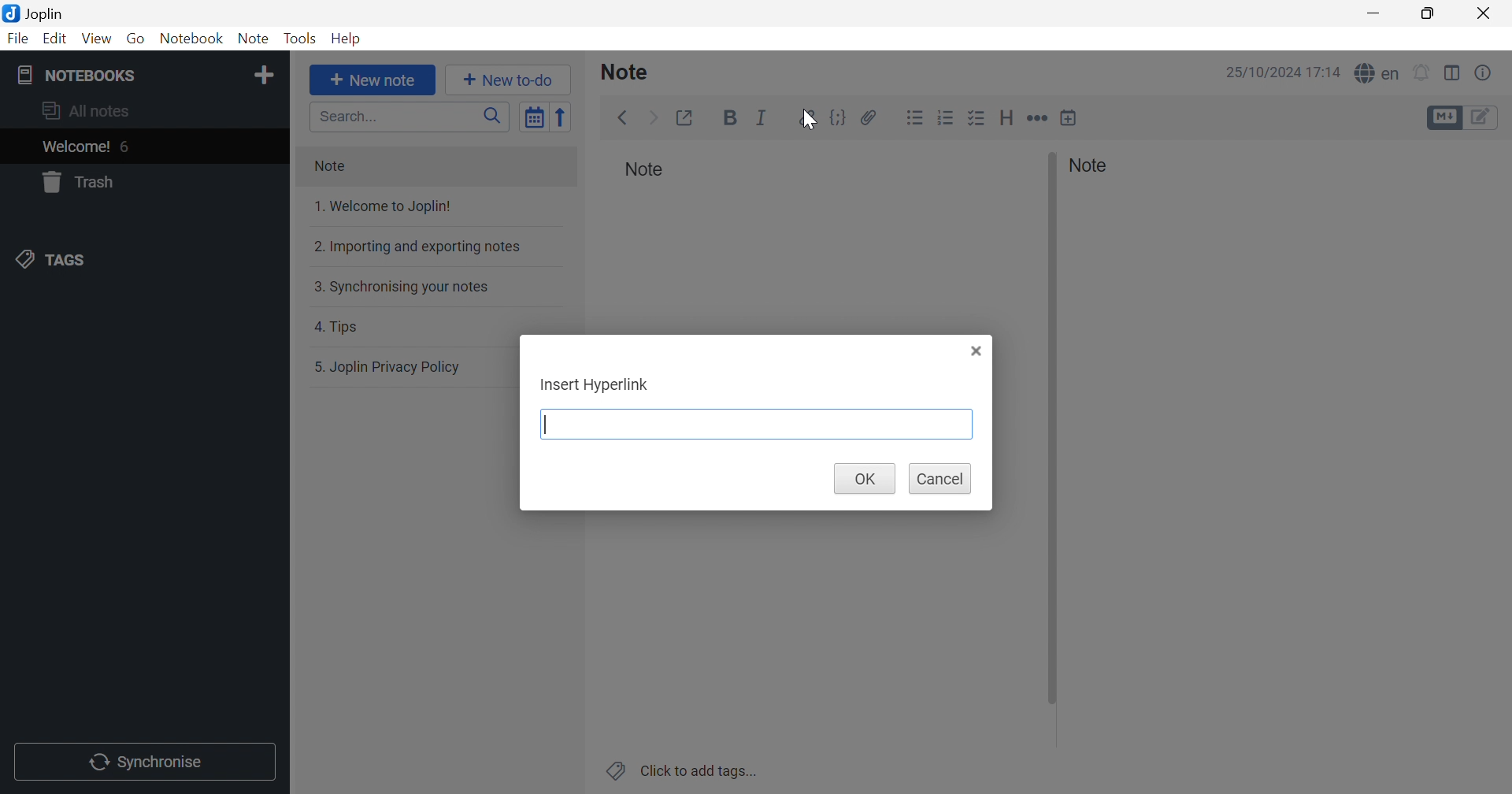 The image size is (1512, 794). Describe the element at coordinates (632, 72) in the screenshot. I see `Note` at that location.